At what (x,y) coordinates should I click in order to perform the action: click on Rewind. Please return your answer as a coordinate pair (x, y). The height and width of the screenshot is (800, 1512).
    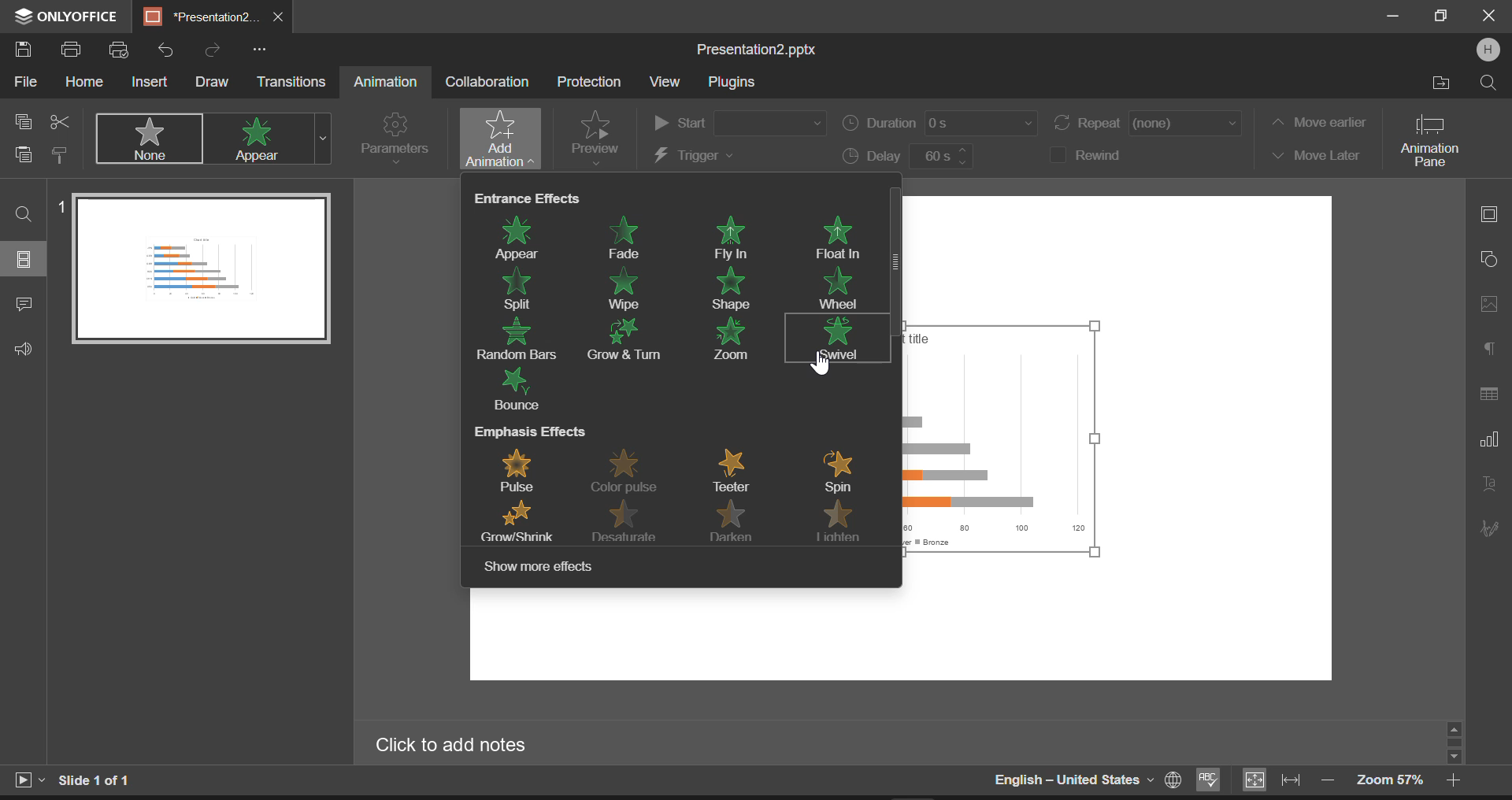
    Looking at the image, I should click on (1098, 154).